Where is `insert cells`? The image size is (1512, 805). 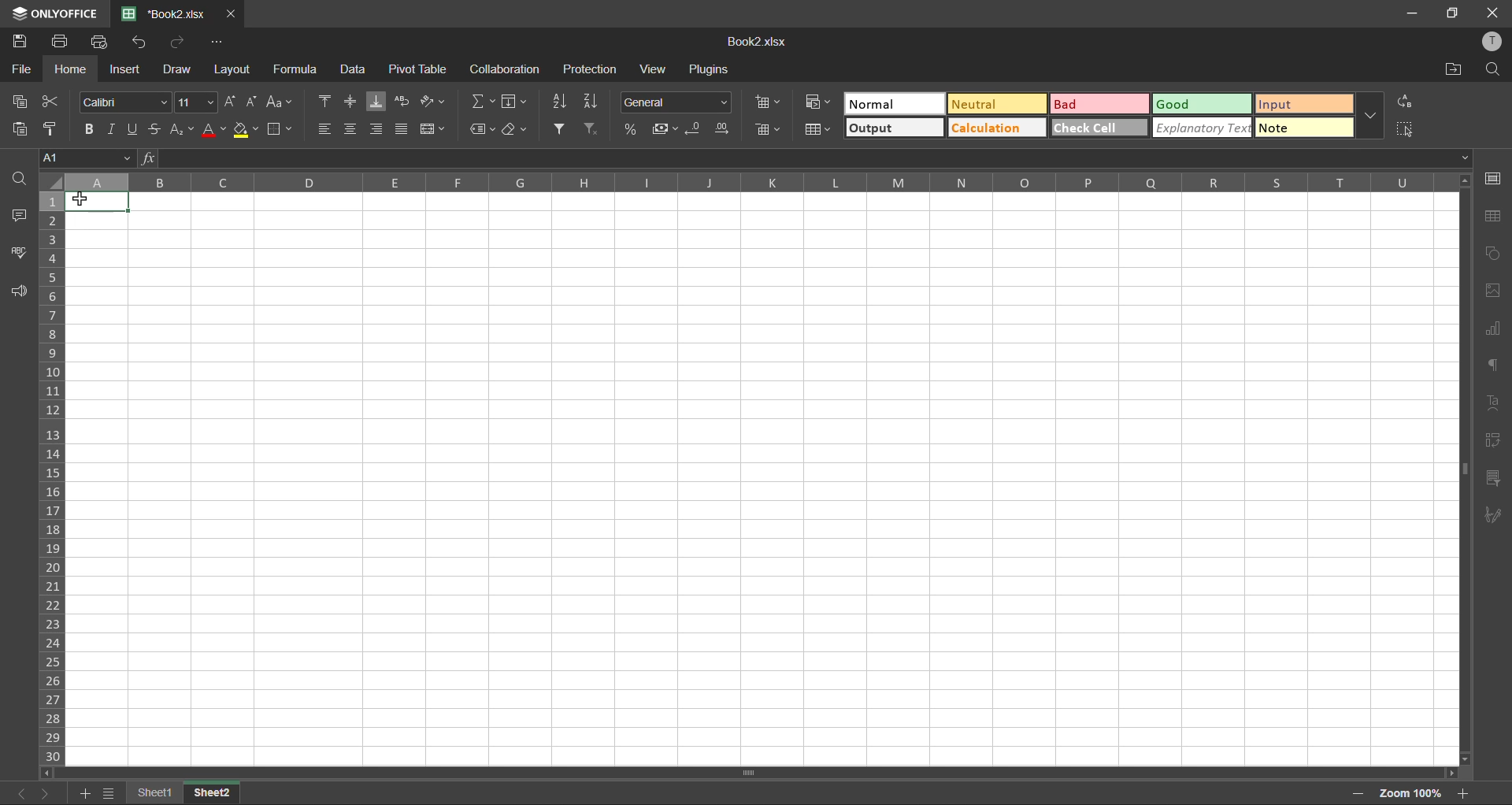 insert cells is located at coordinates (773, 103).